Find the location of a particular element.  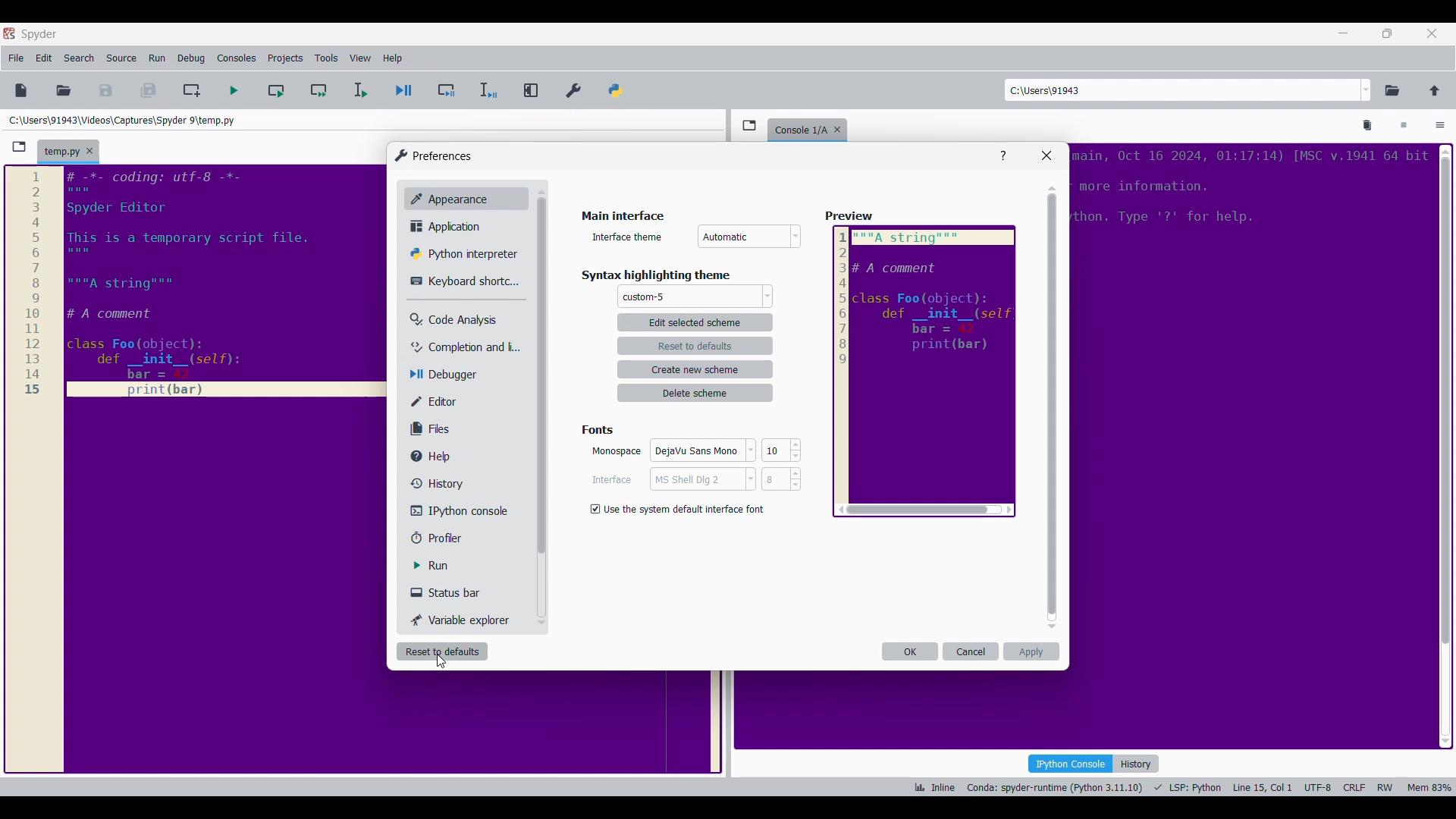

Debug menu is located at coordinates (192, 58).